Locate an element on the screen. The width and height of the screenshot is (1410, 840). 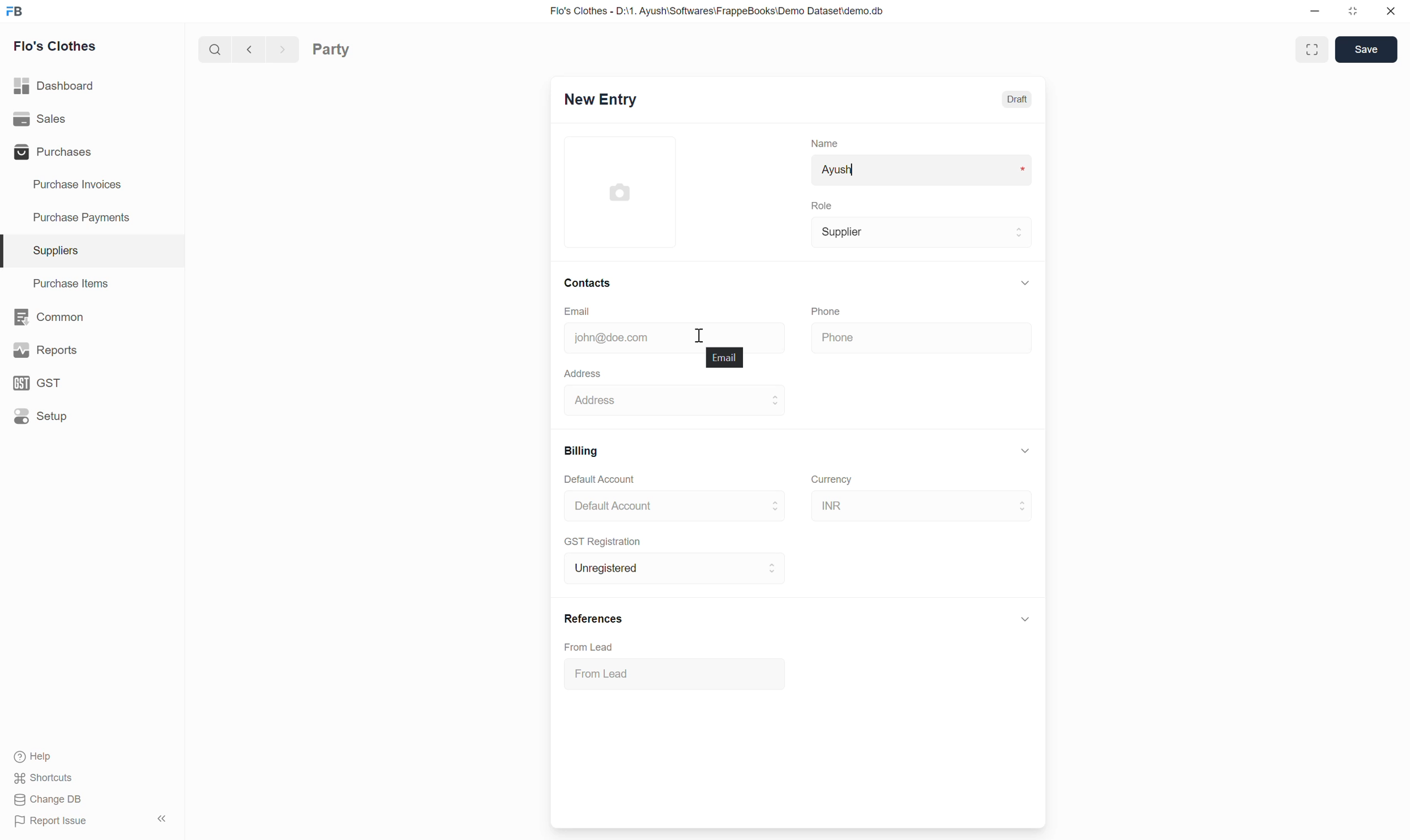
Change dimension is located at coordinates (1353, 11).